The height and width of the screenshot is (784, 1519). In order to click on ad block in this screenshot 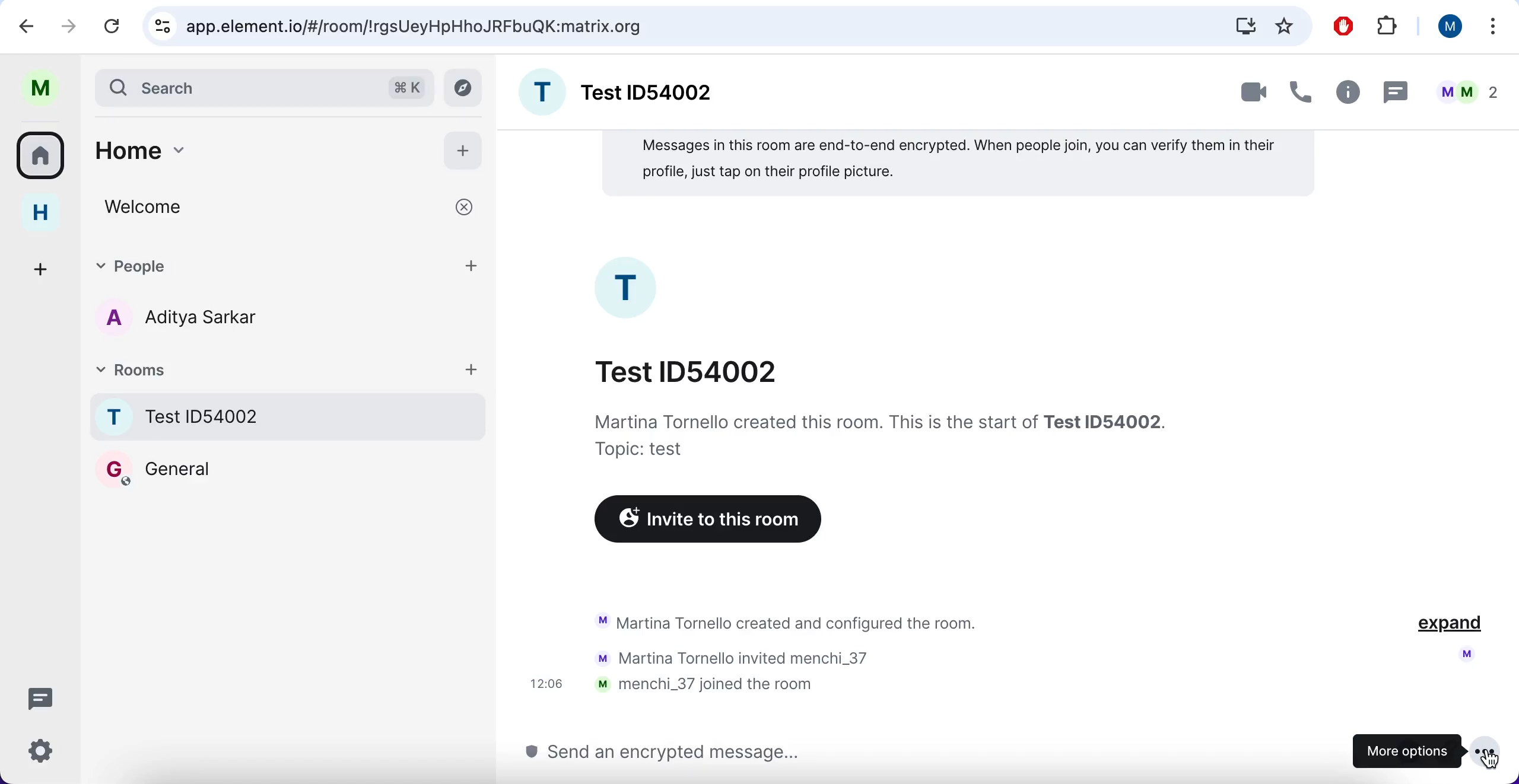, I will do `click(1342, 25)`.